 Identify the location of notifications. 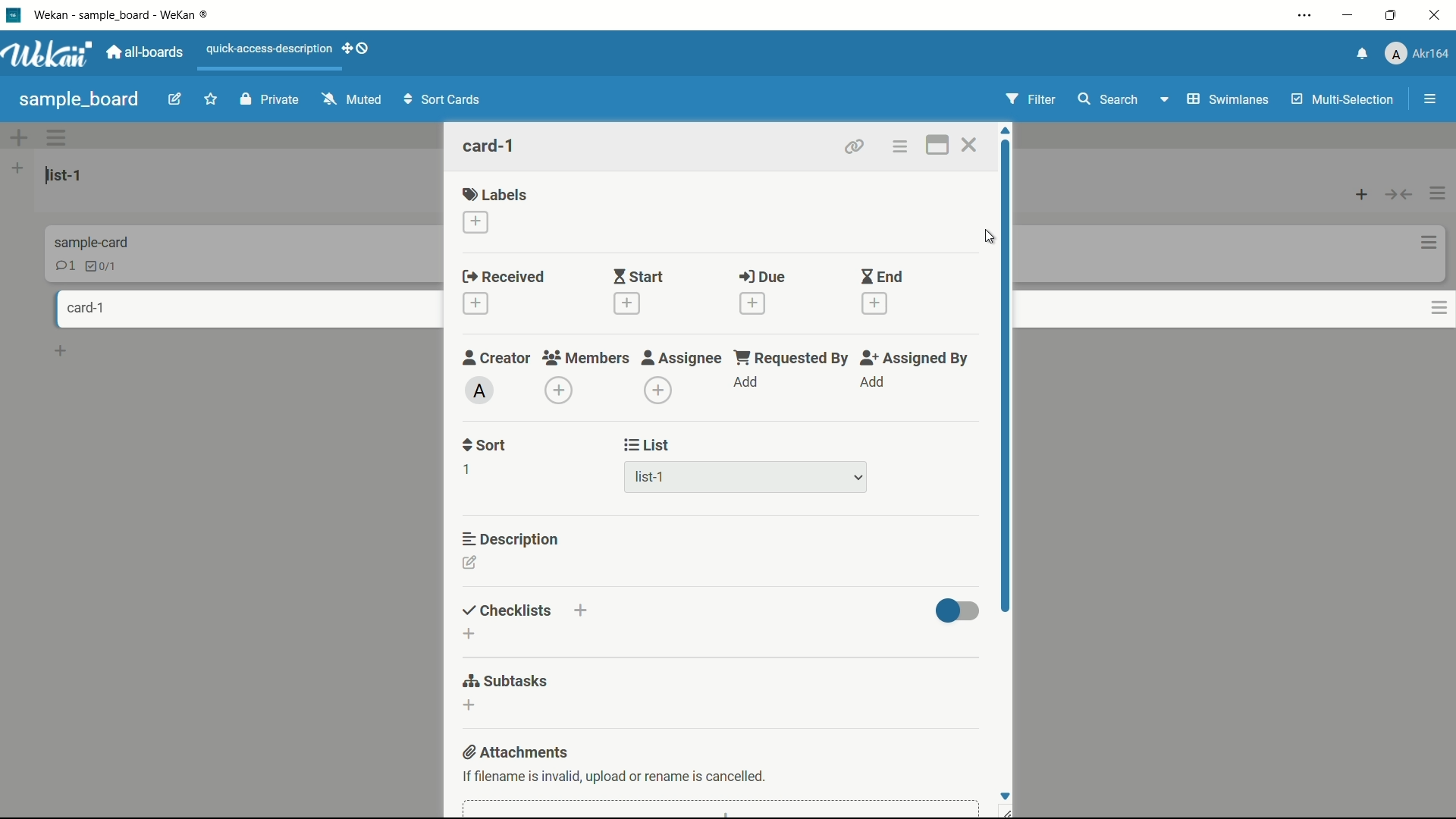
(1363, 53).